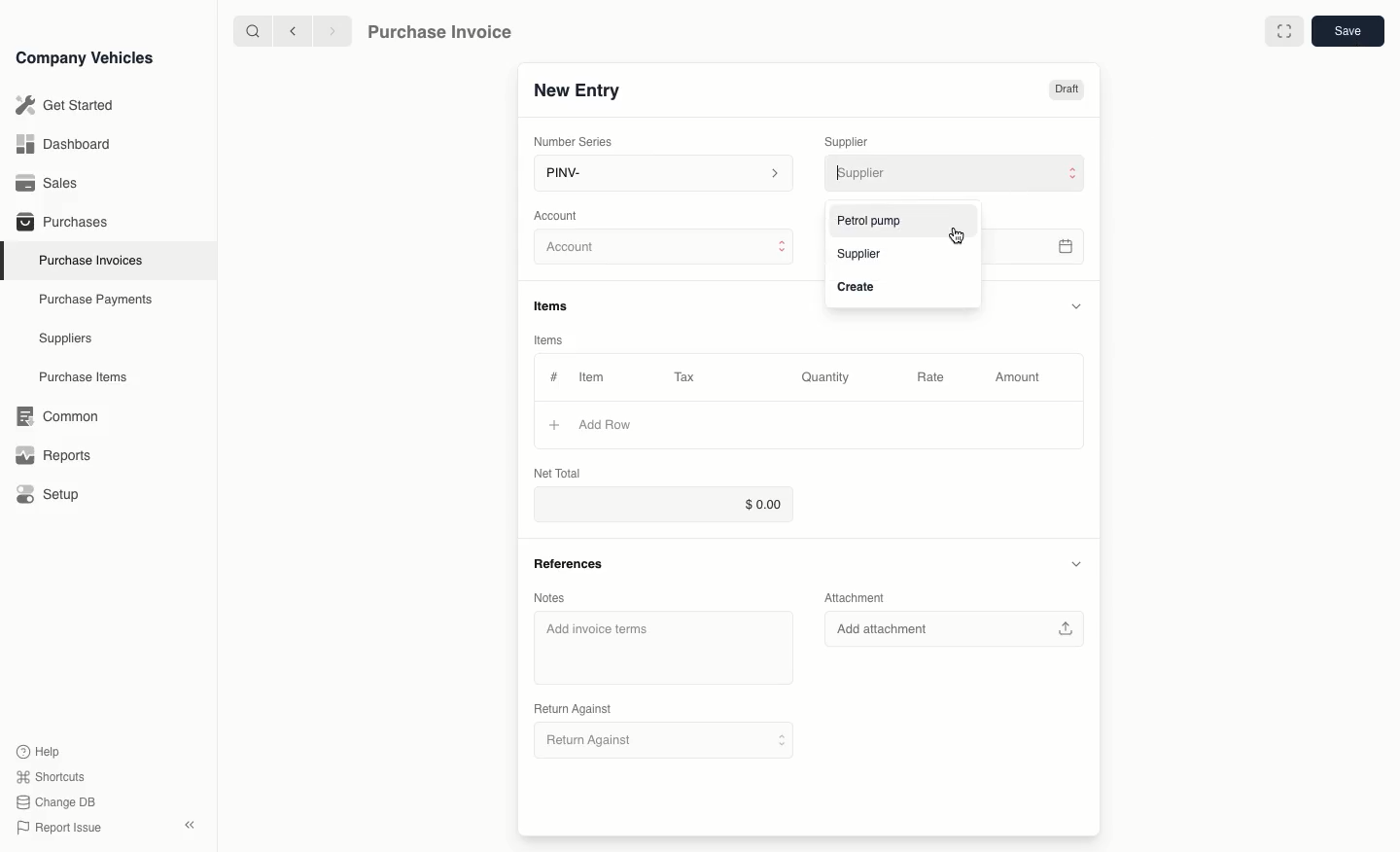 This screenshot has width=1400, height=852. What do you see at coordinates (592, 425) in the screenshot?
I see `Add Row` at bounding box center [592, 425].